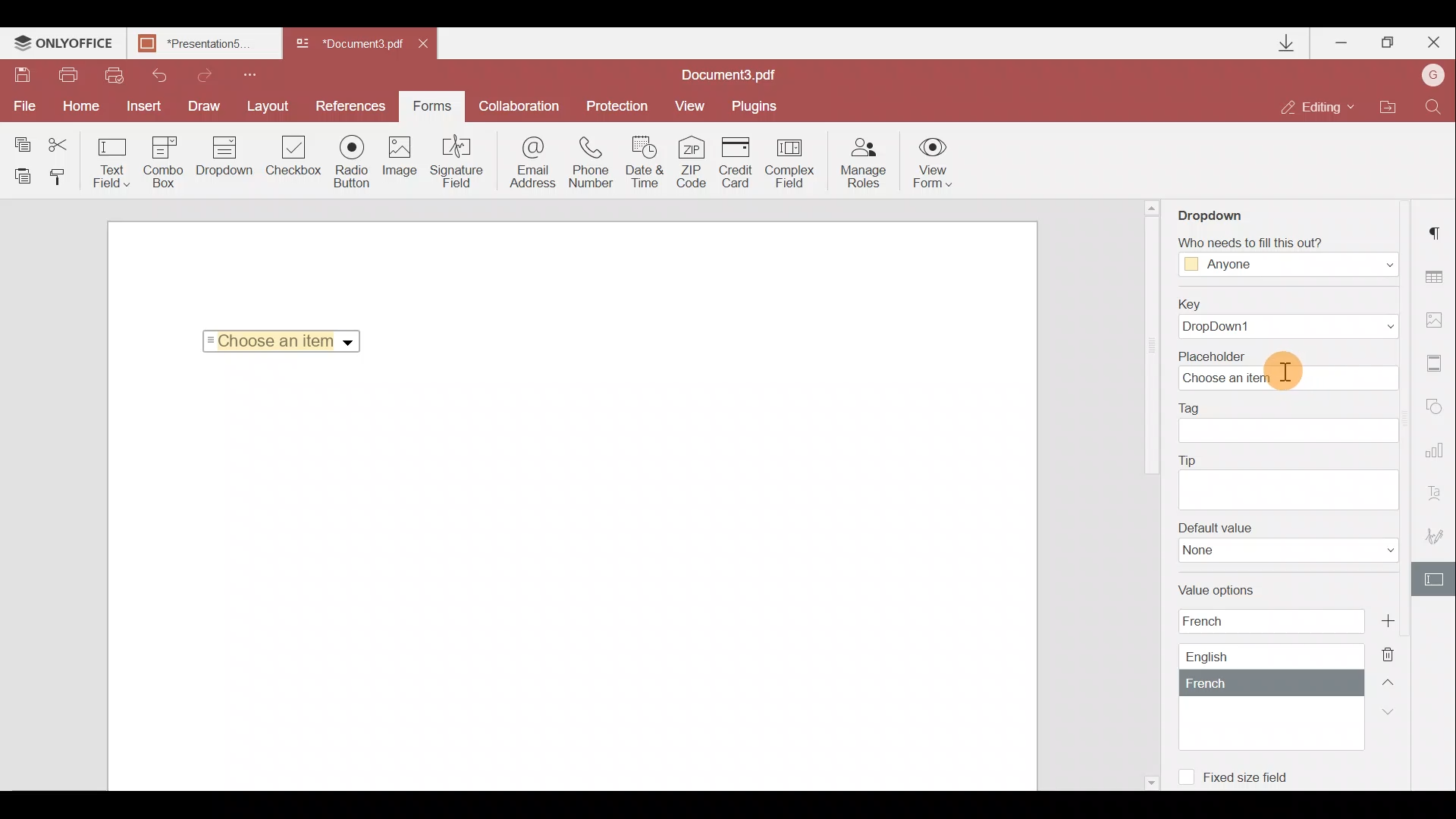 The image size is (1456, 819). What do you see at coordinates (1282, 318) in the screenshot?
I see `Key` at bounding box center [1282, 318].